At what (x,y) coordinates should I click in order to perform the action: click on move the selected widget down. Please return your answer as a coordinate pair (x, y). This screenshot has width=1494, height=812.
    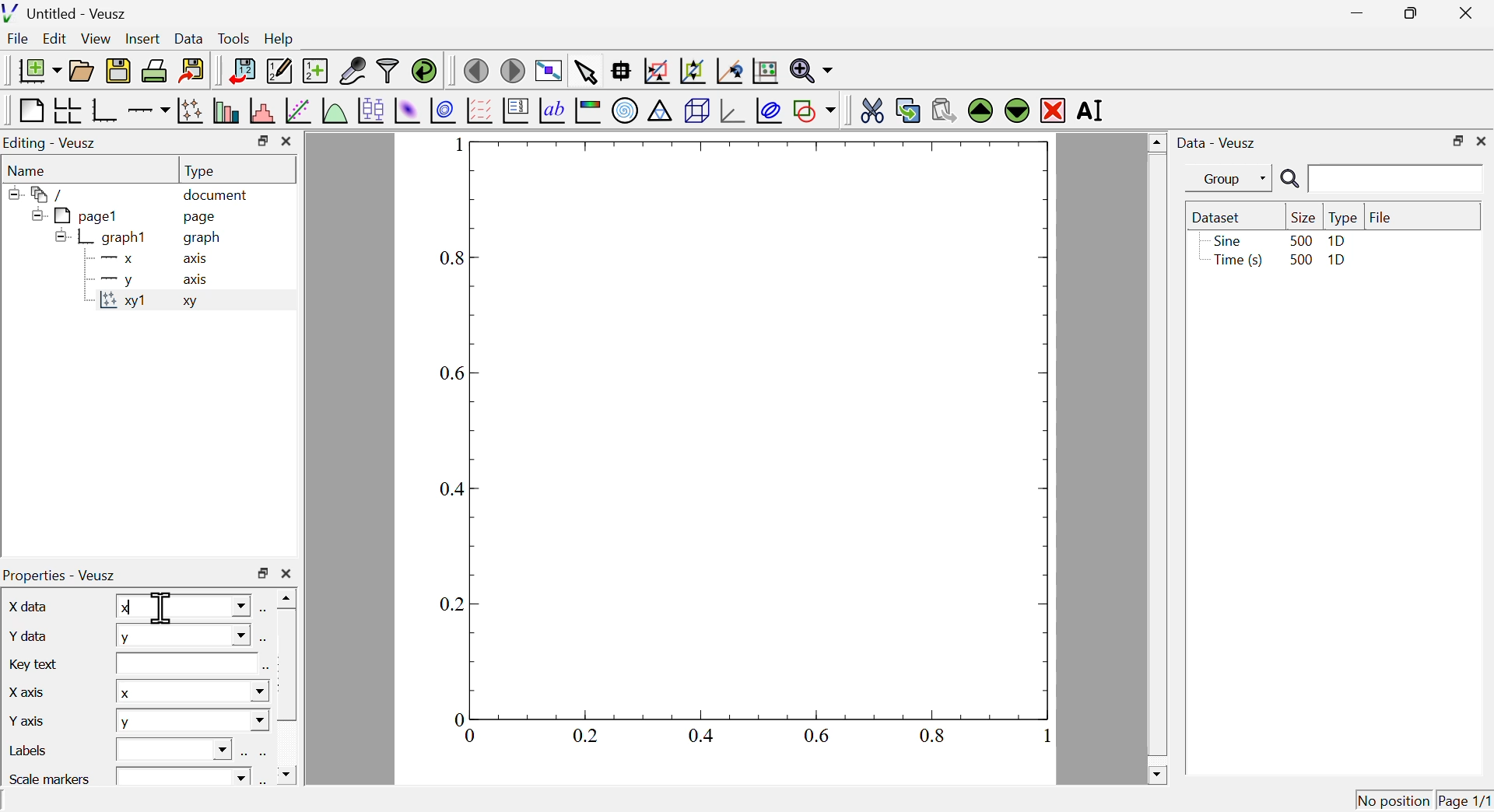
    Looking at the image, I should click on (1015, 110).